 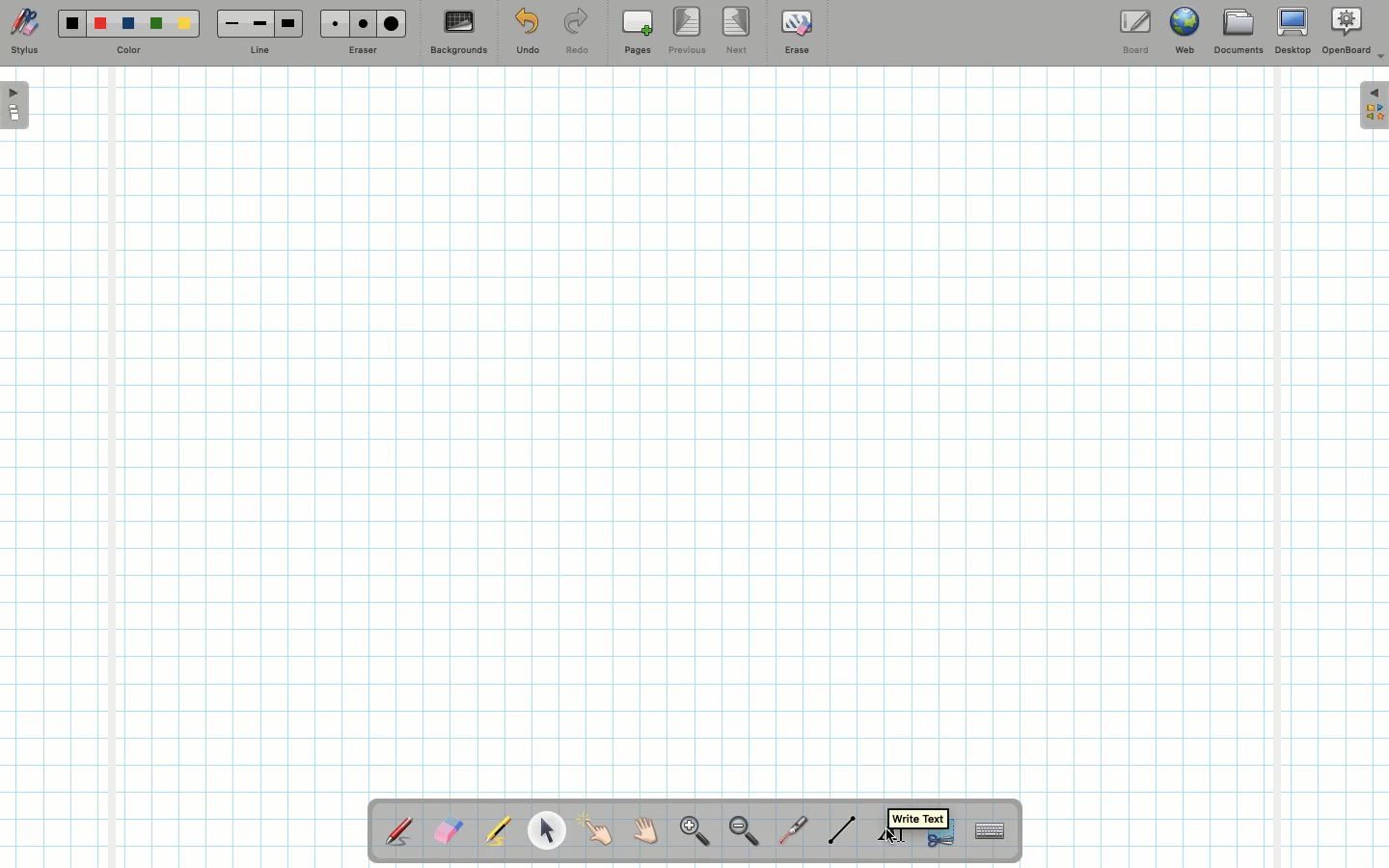 What do you see at coordinates (24, 32) in the screenshot?
I see `Stylus` at bounding box center [24, 32].